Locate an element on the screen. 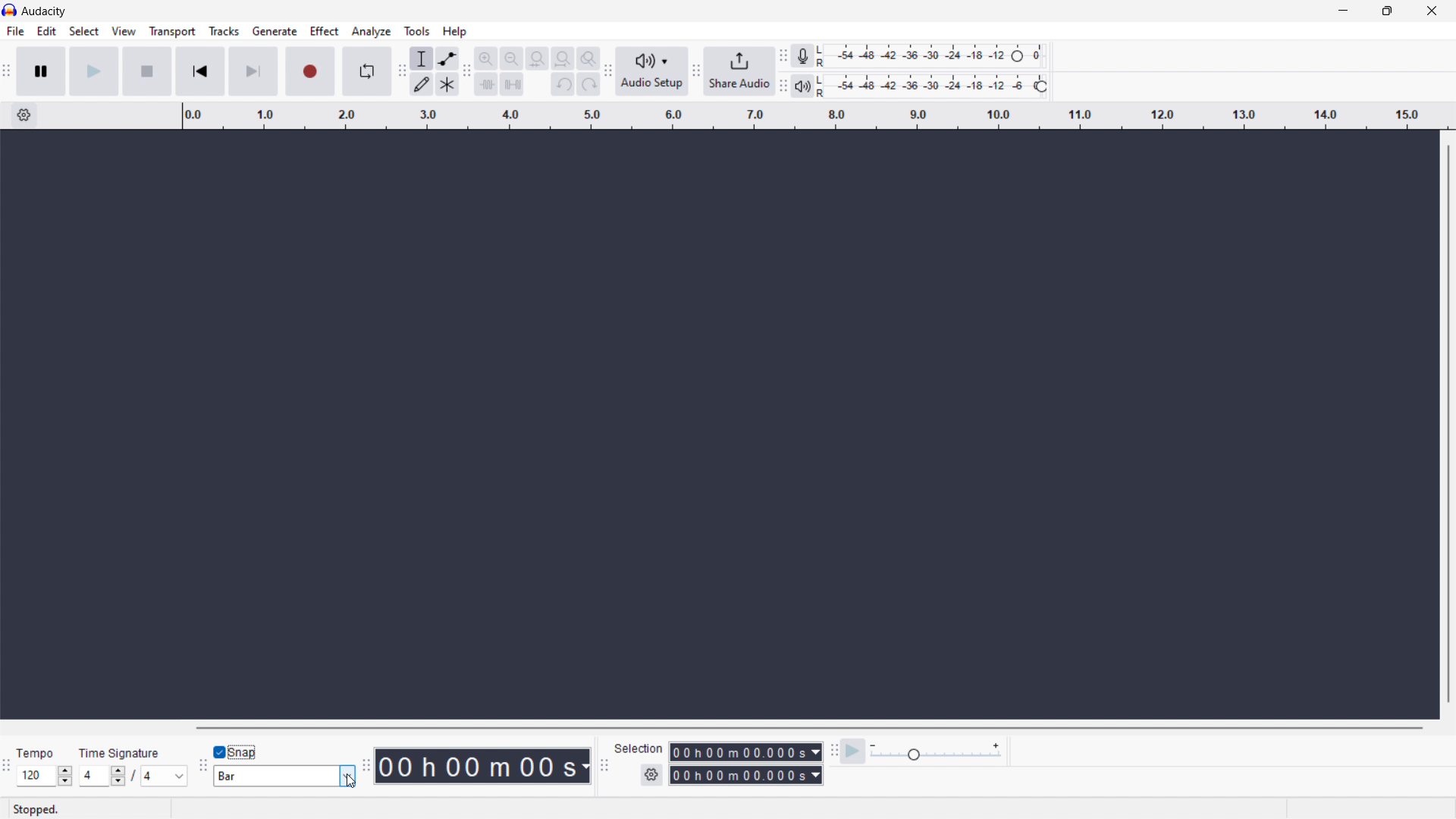 The width and height of the screenshot is (1456, 819). playback meter toolbar is located at coordinates (783, 86).